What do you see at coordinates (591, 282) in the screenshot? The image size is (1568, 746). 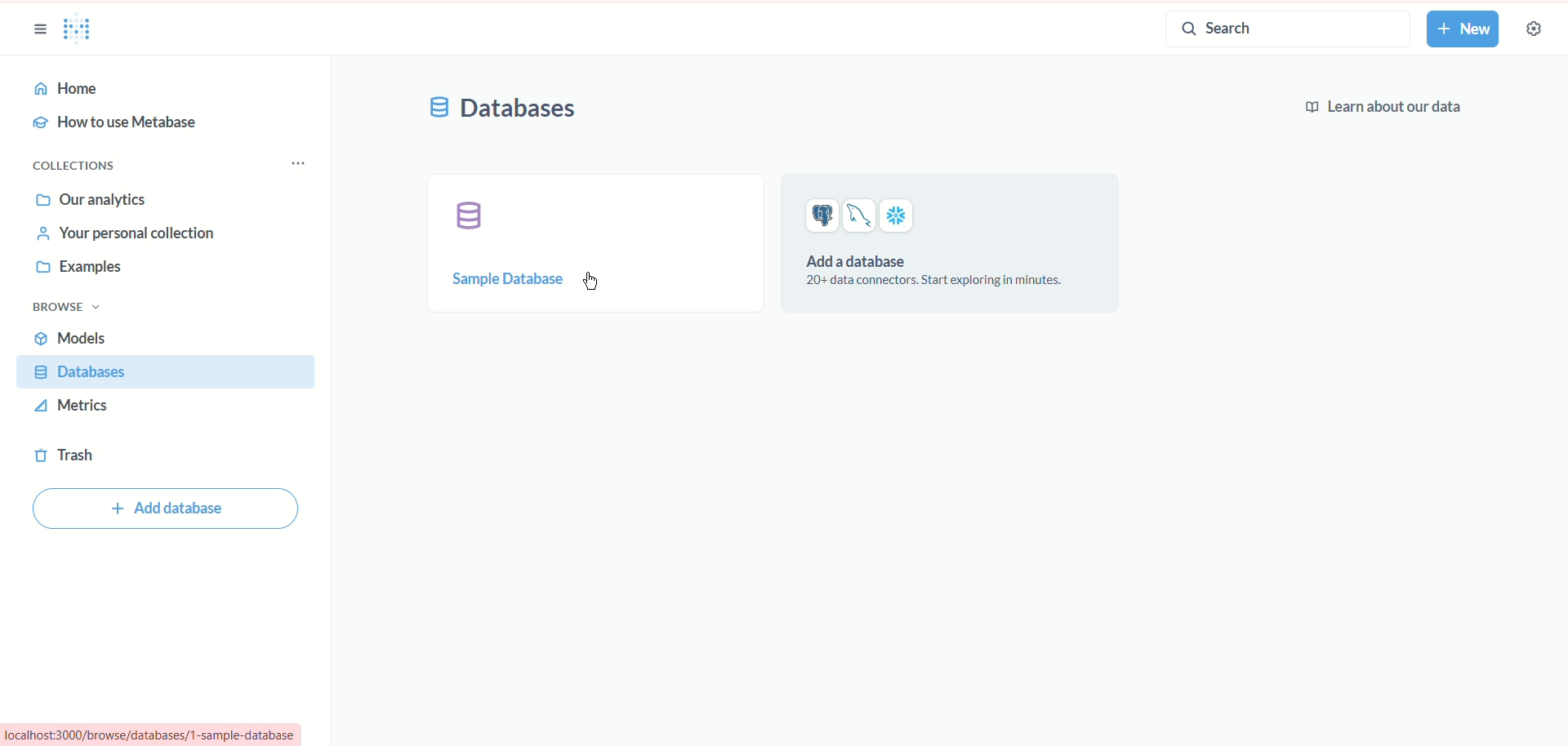 I see `cursor` at bounding box center [591, 282].